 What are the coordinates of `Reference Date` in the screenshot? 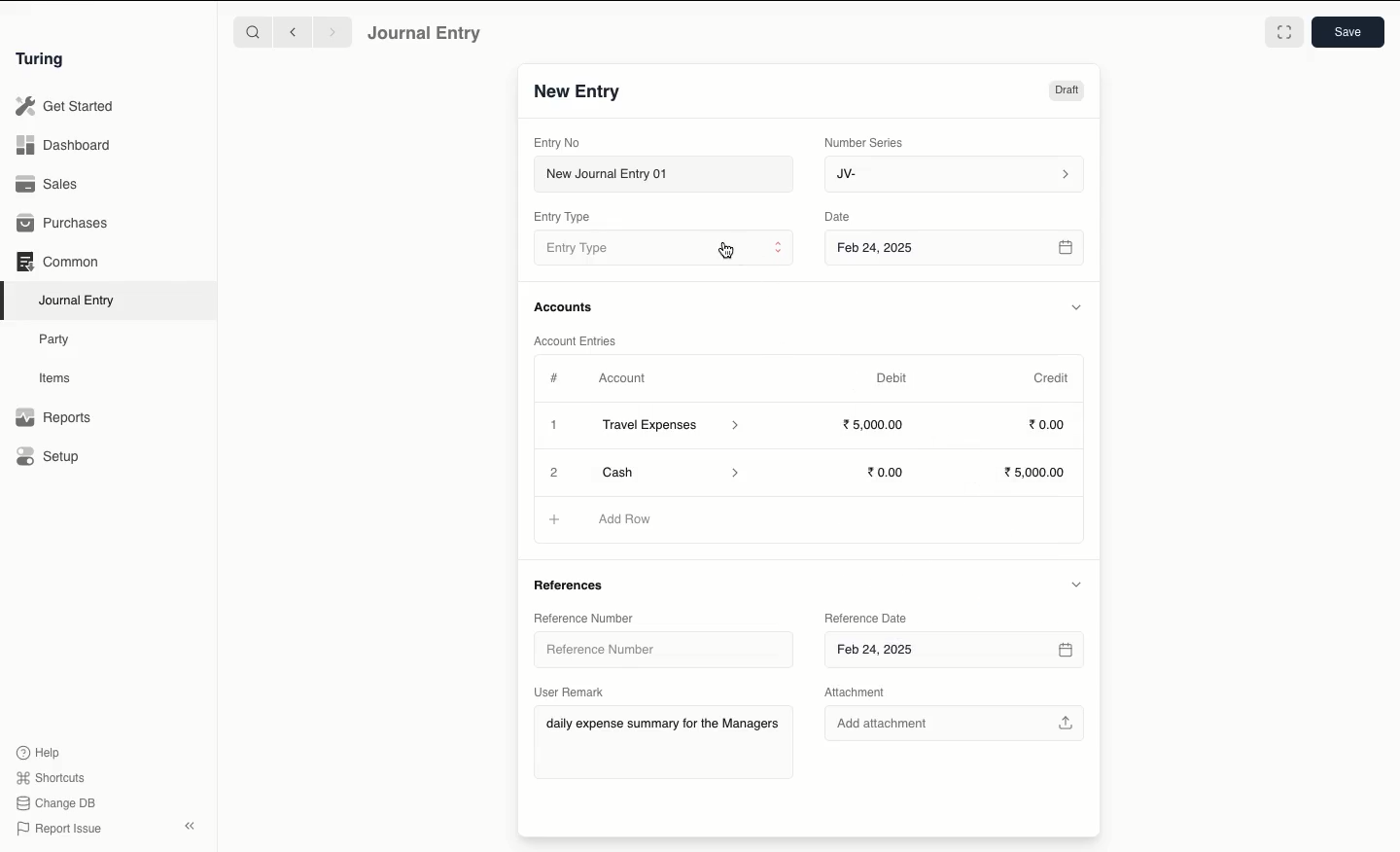 It's located at (865, 620).